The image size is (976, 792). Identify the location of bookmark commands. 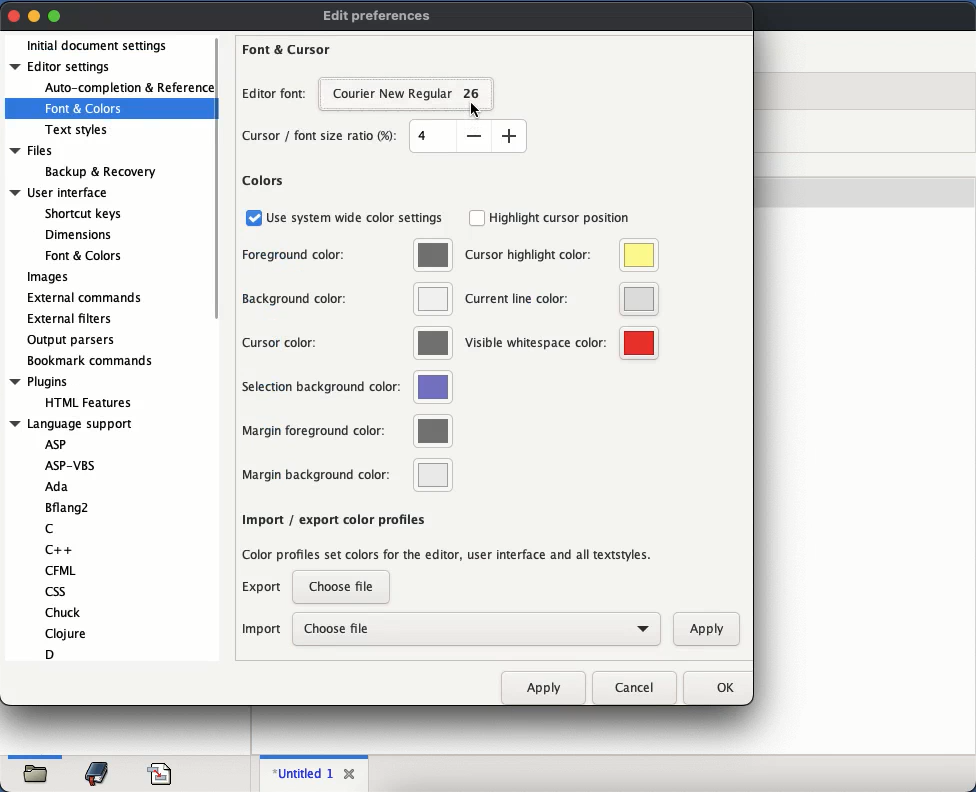
(92, 362).